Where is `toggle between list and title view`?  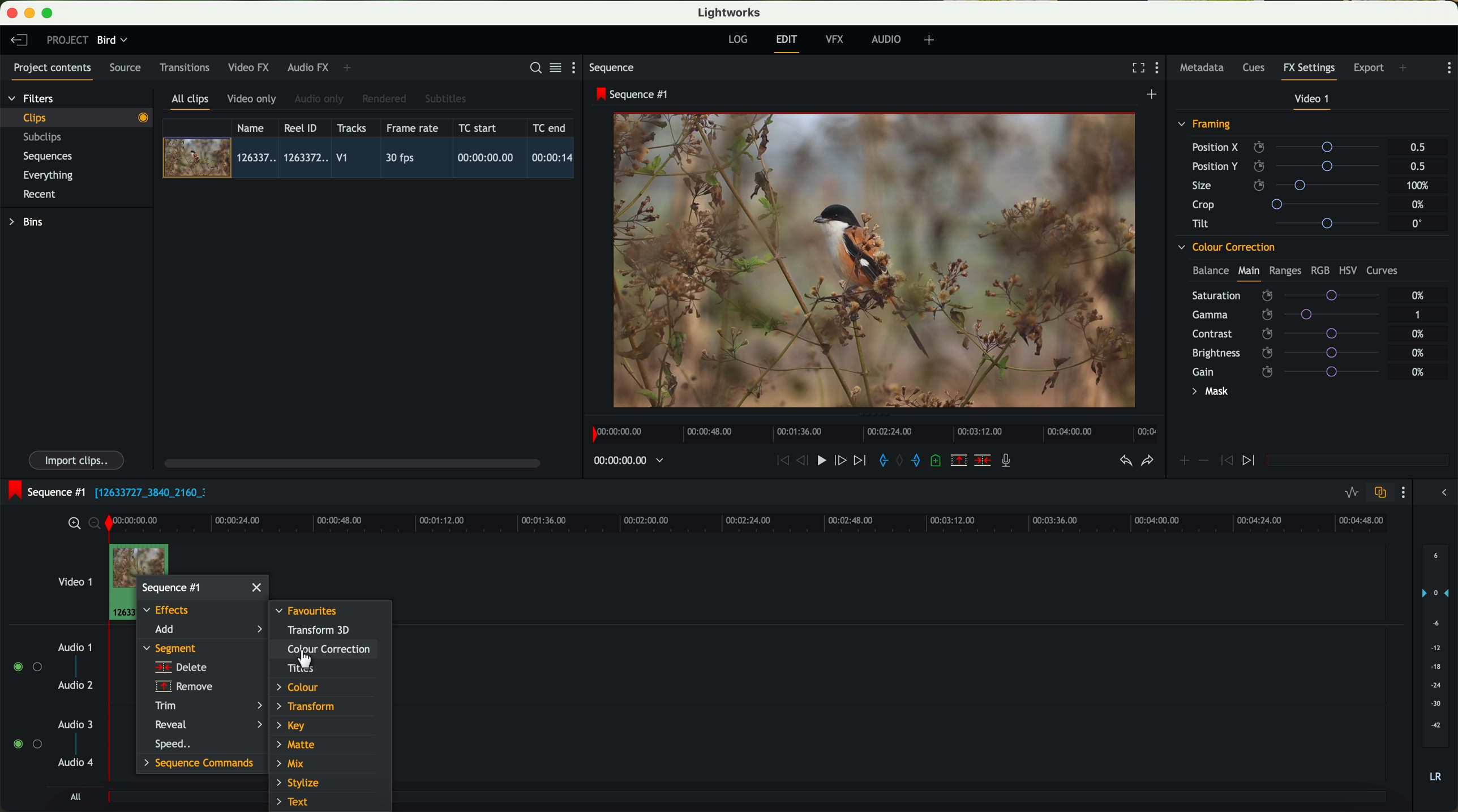
toggle between list and title view is located at coordinates (554, 67).